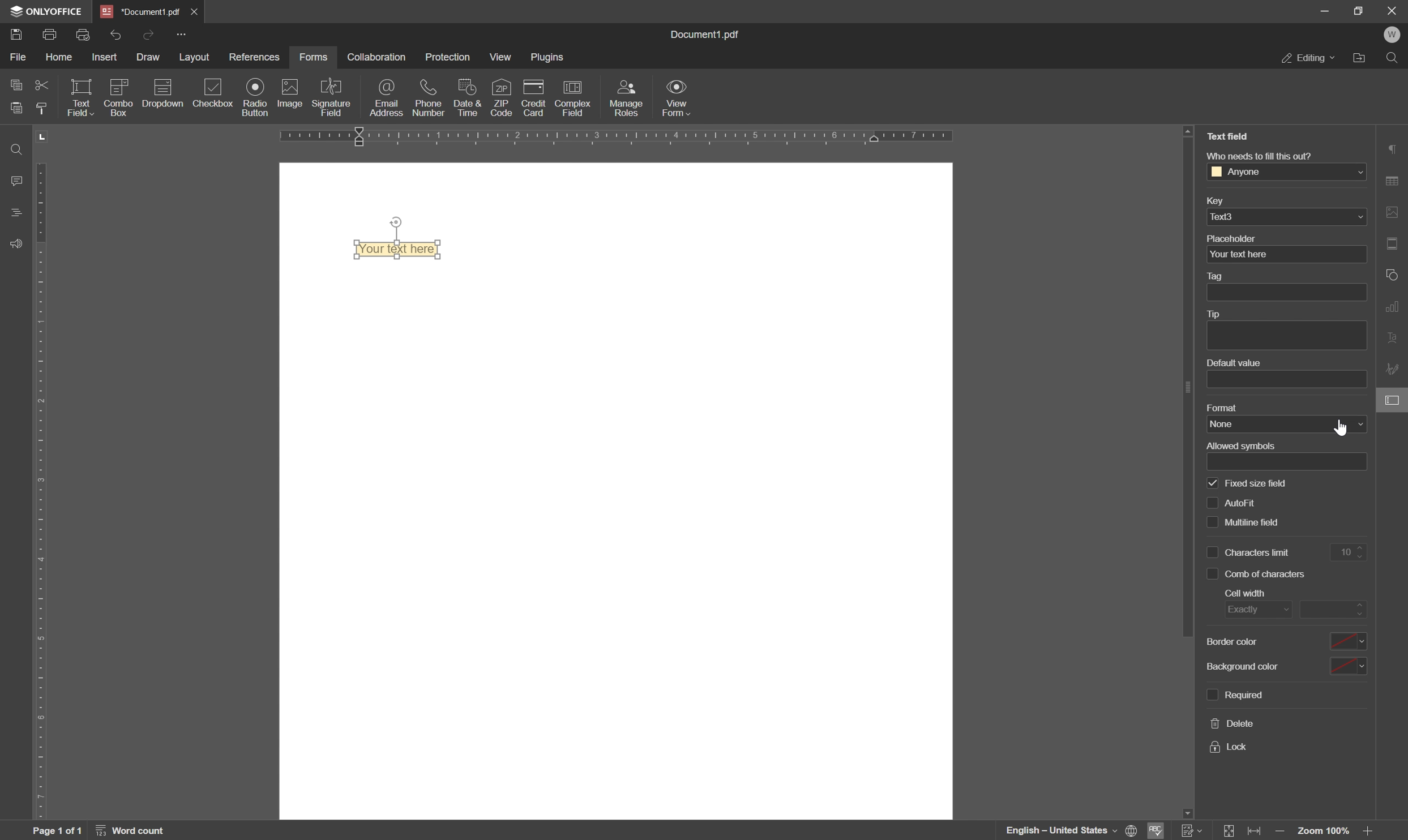  Describe the element at coordinates (41, 84) in the screenshot. I see `cut` at that location.